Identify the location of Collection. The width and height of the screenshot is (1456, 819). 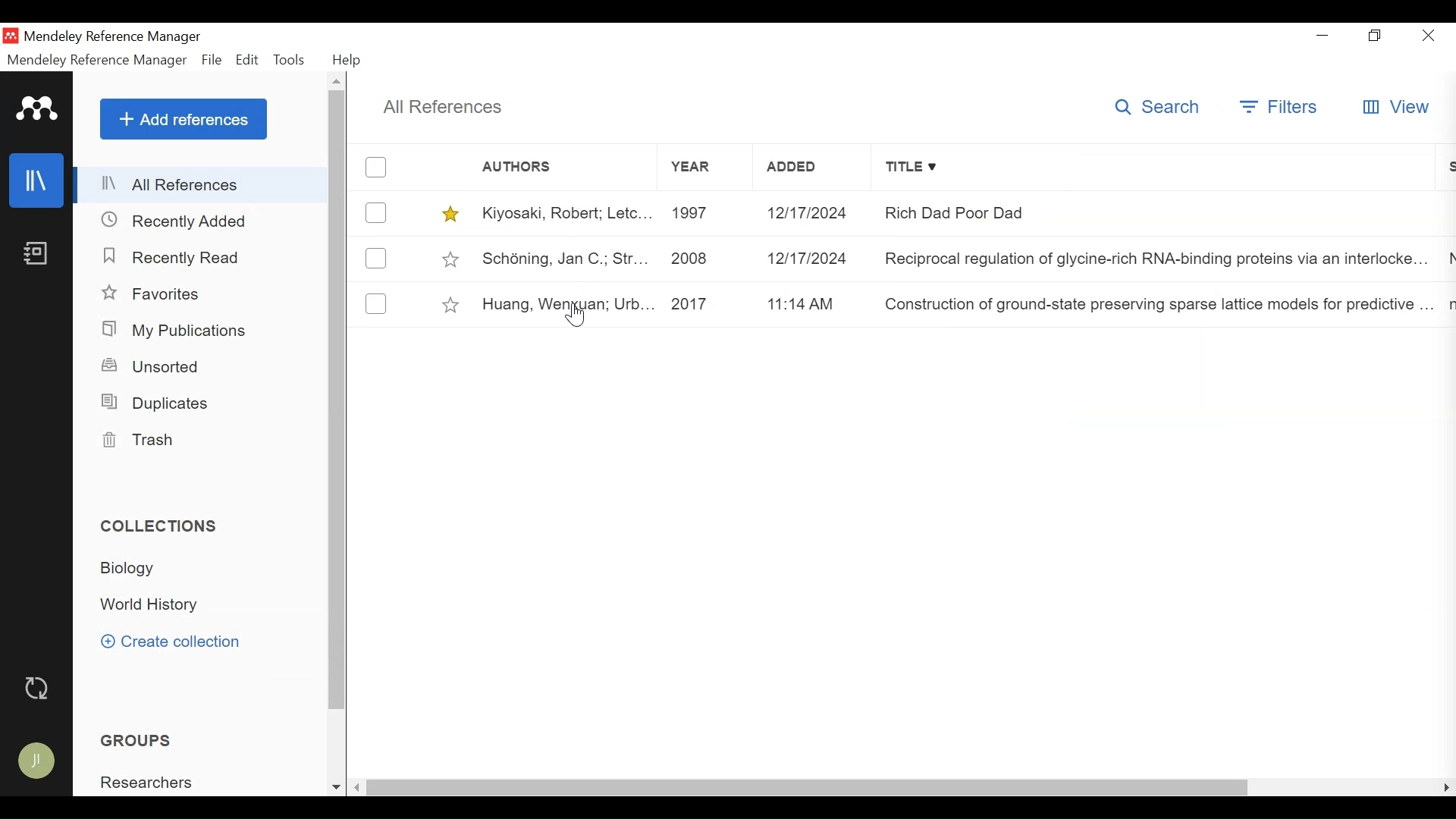
(133, 570).